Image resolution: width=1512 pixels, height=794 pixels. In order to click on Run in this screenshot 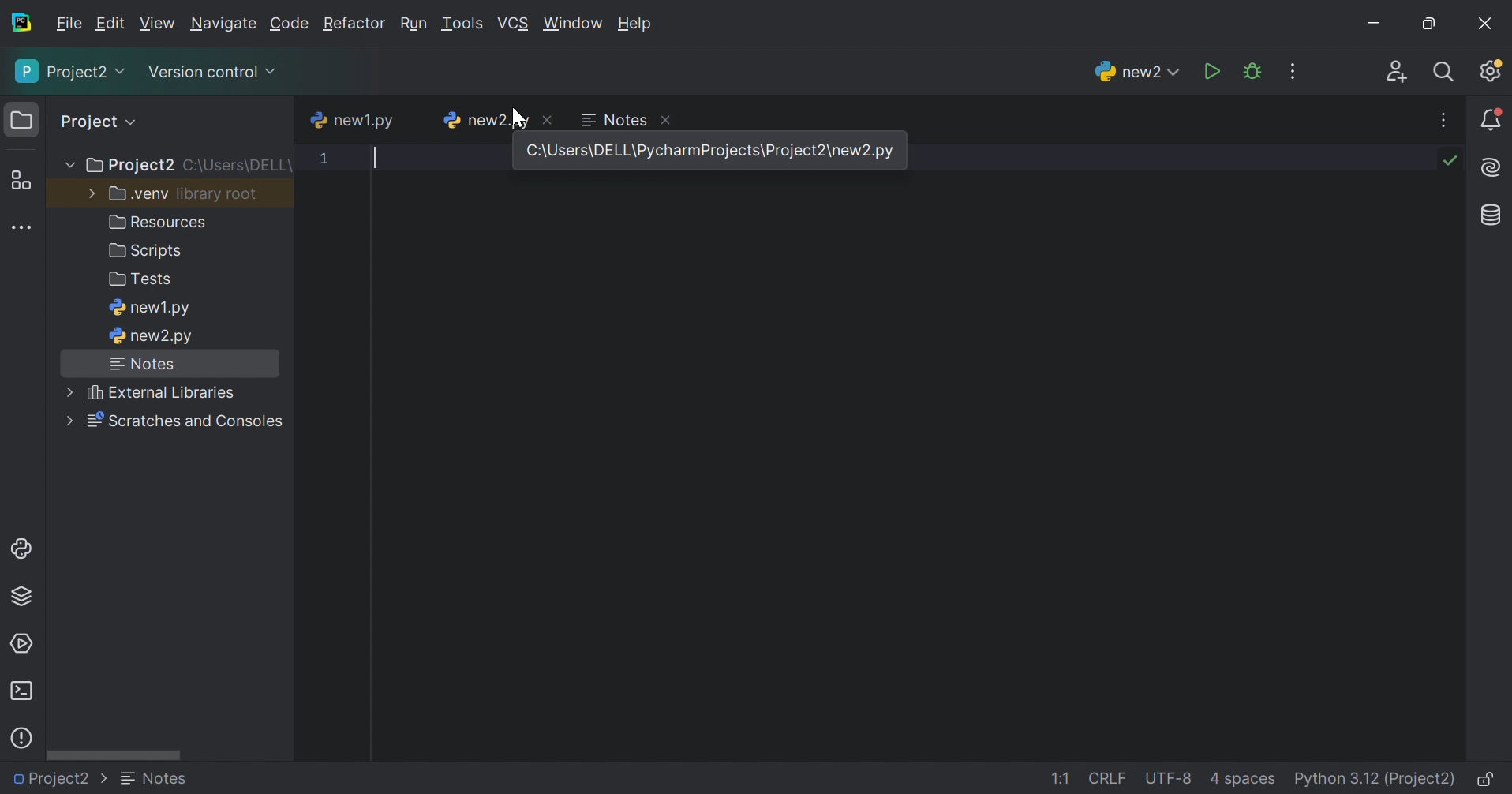, I will do `click(1211, 70)`.